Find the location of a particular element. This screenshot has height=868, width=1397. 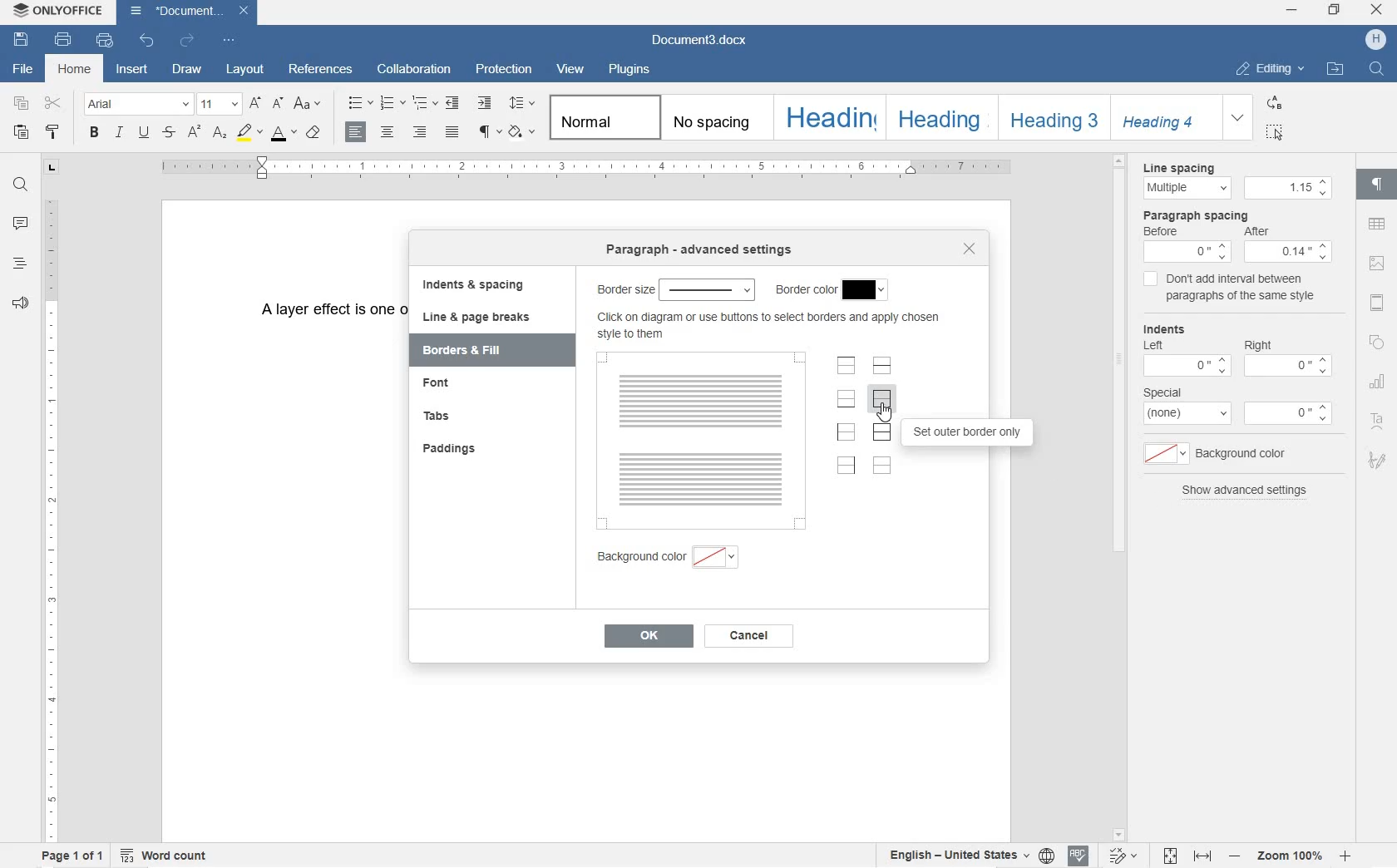

SUBSCRIPT is located at coordinates (219, 133).